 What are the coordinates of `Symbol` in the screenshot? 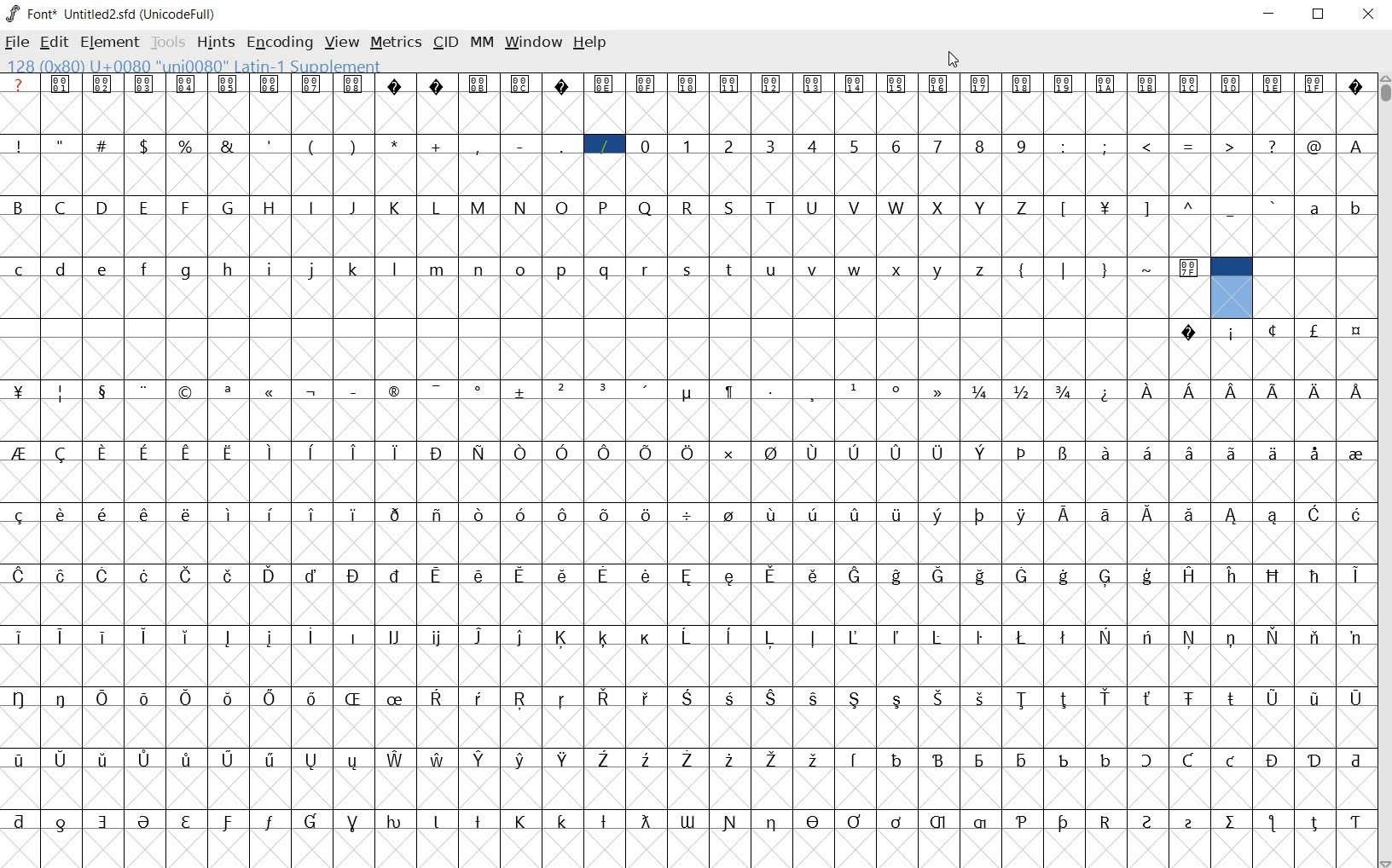 It's located at (524, 819).